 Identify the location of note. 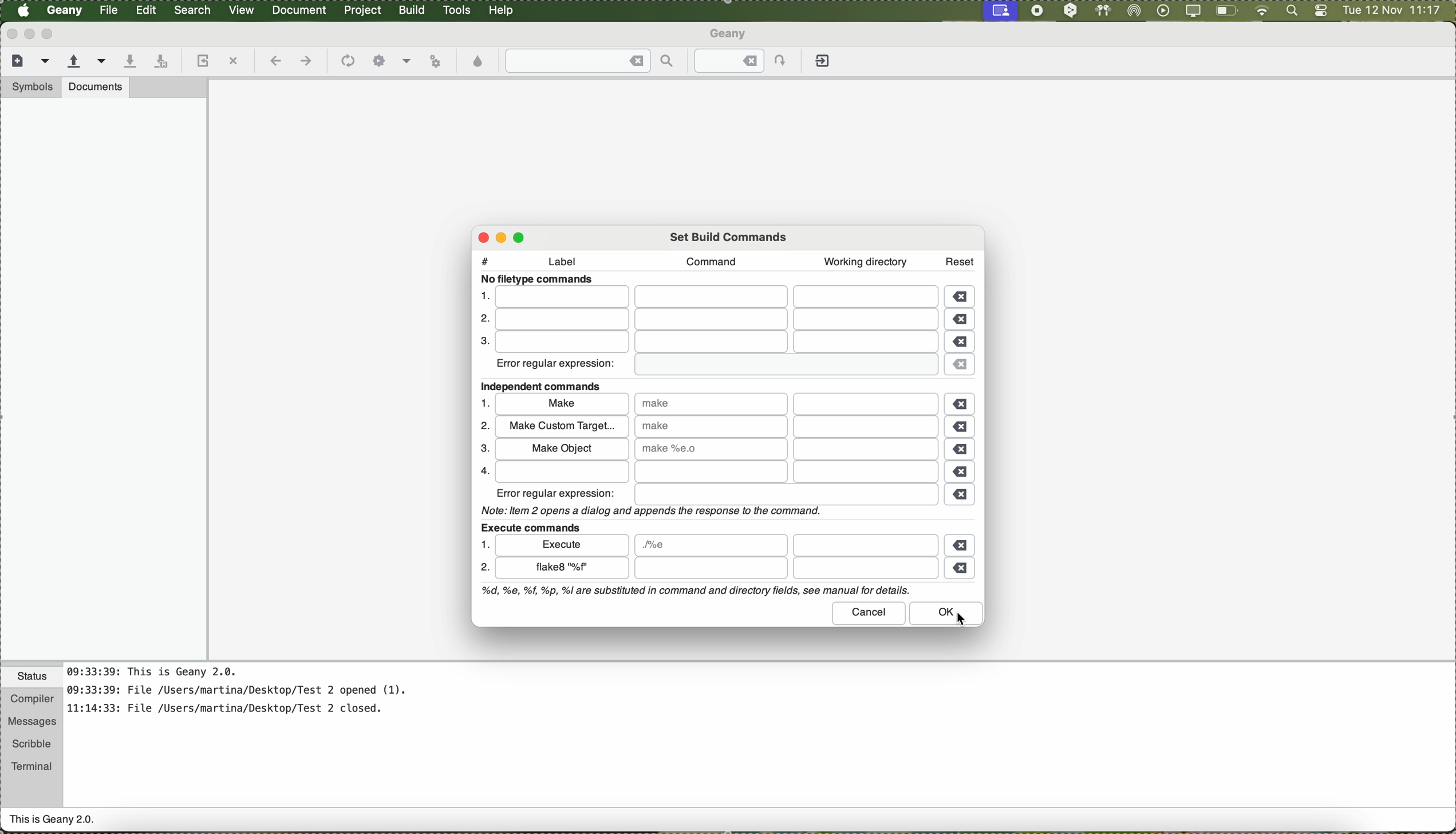
(649, 510).